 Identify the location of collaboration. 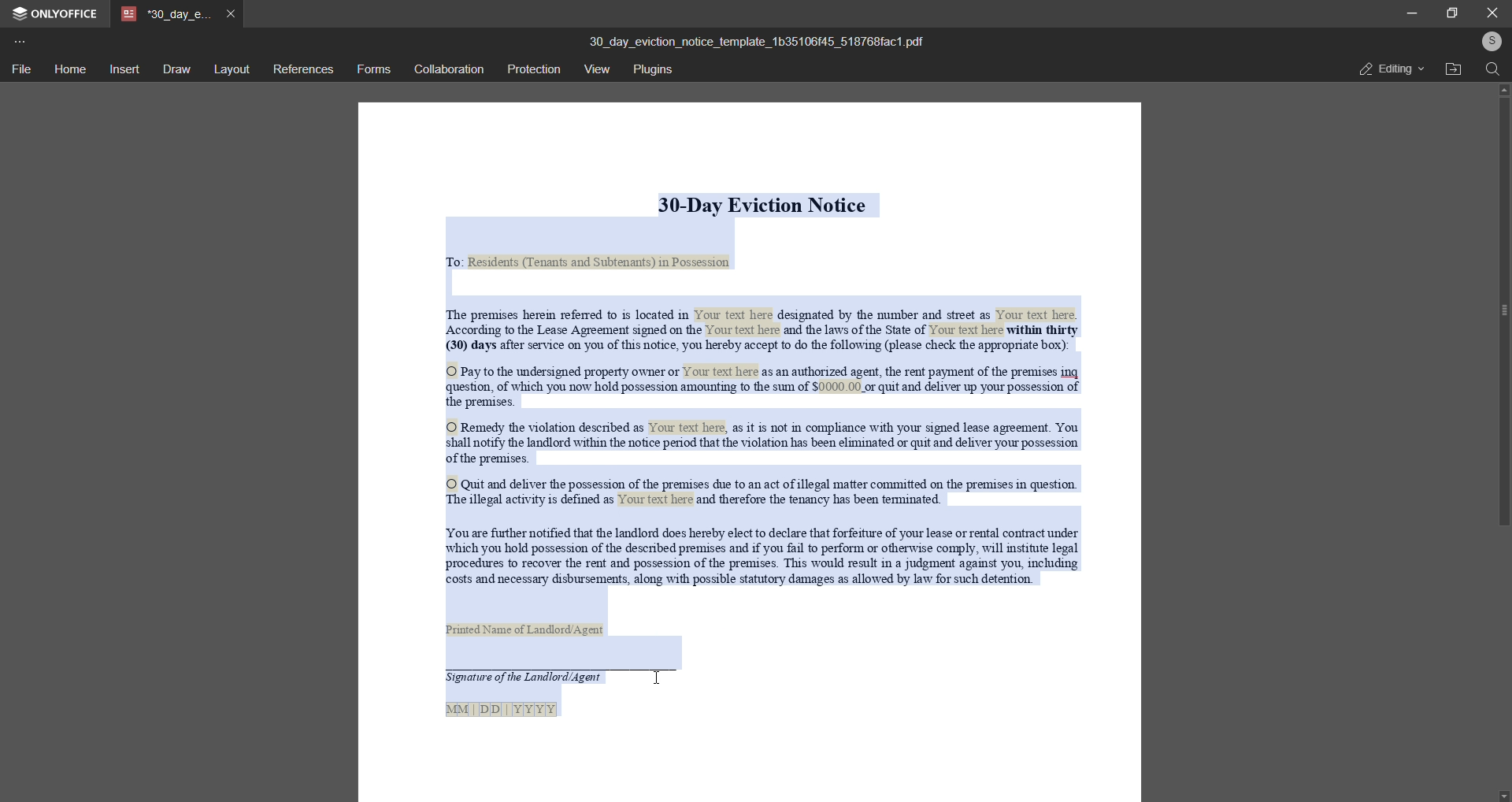
(447, 69).